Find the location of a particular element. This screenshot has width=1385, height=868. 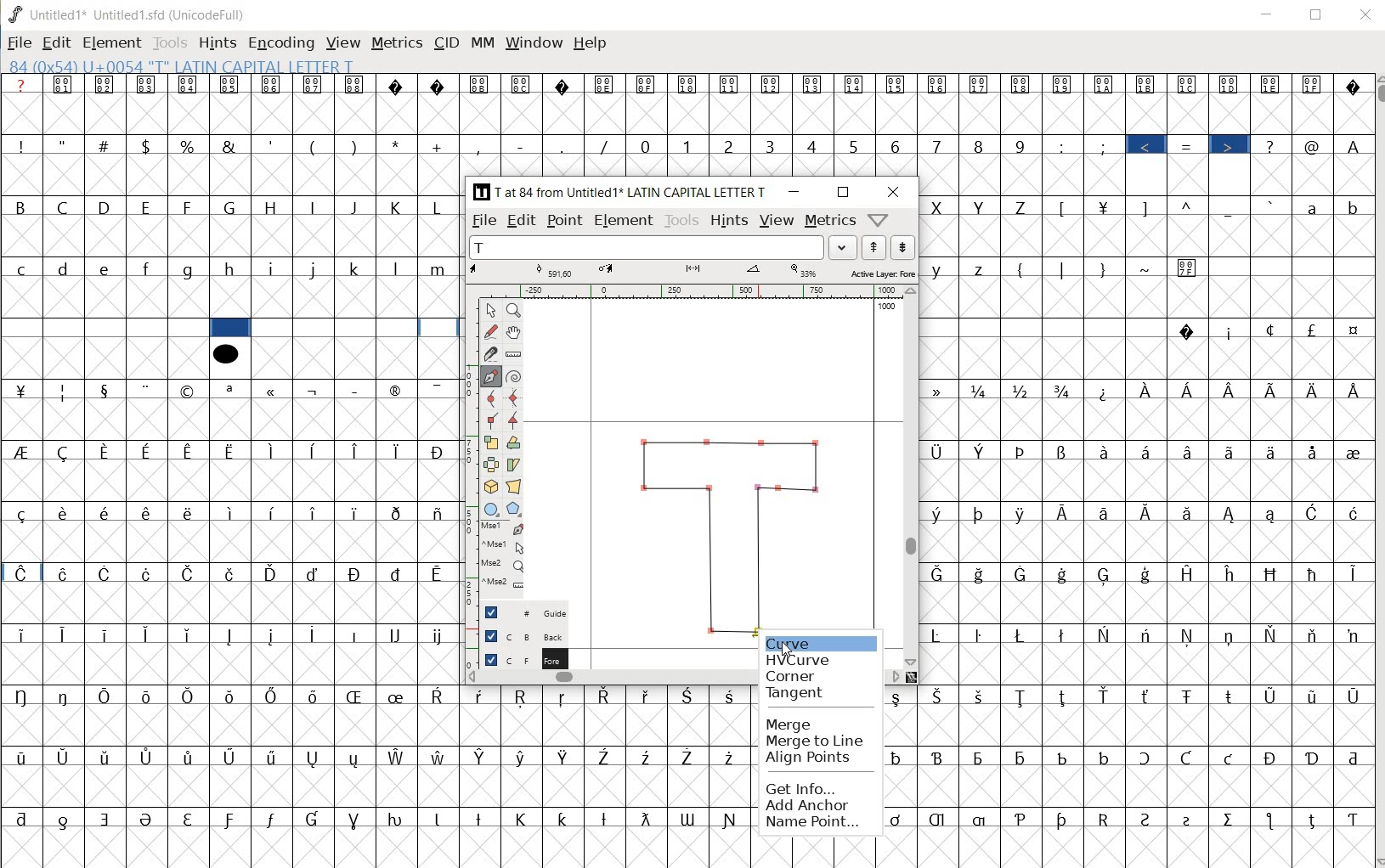

hv curve is located at coordinates (800, 657).